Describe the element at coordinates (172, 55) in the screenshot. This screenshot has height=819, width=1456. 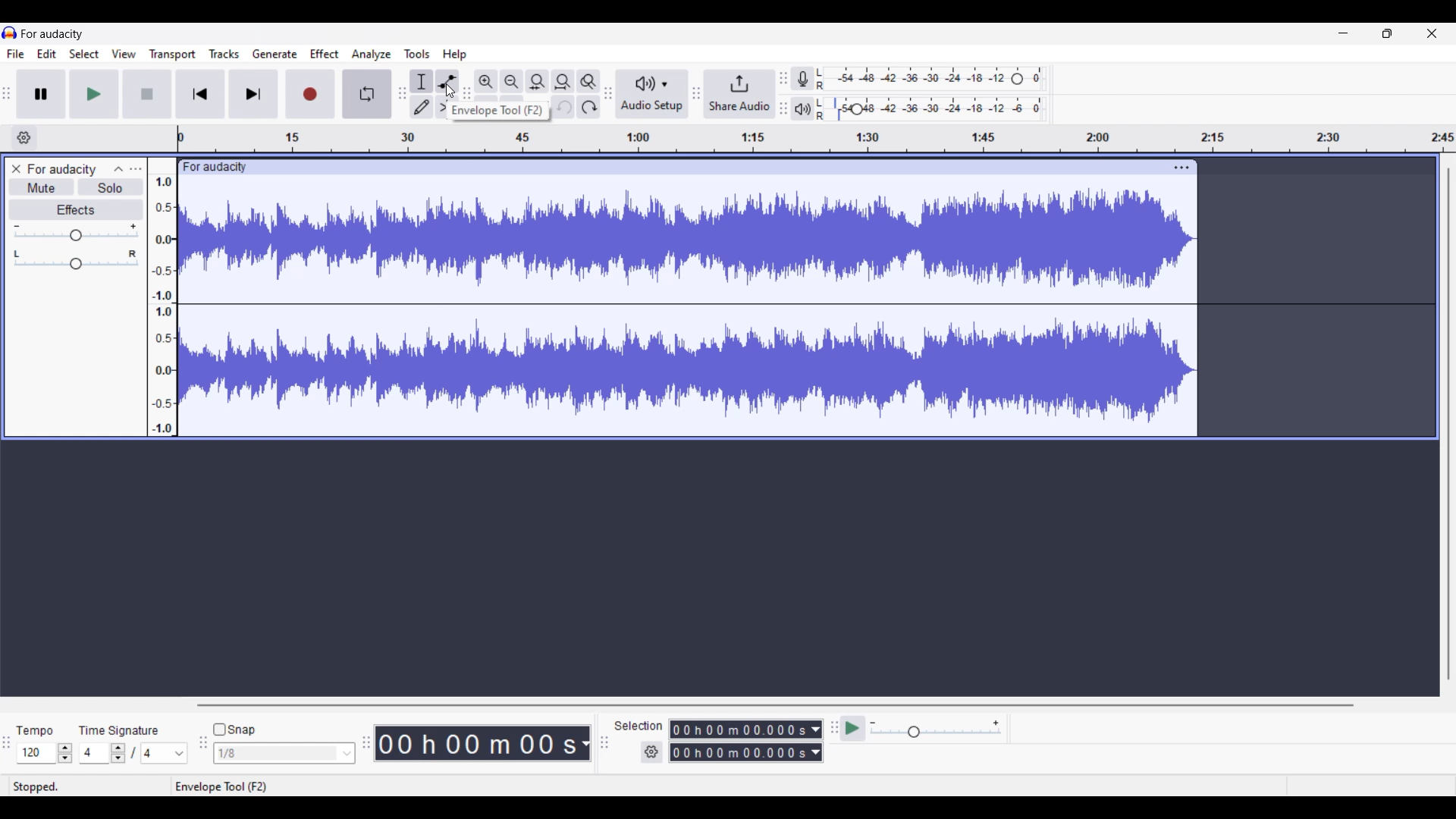
I see `Transport` at that location.